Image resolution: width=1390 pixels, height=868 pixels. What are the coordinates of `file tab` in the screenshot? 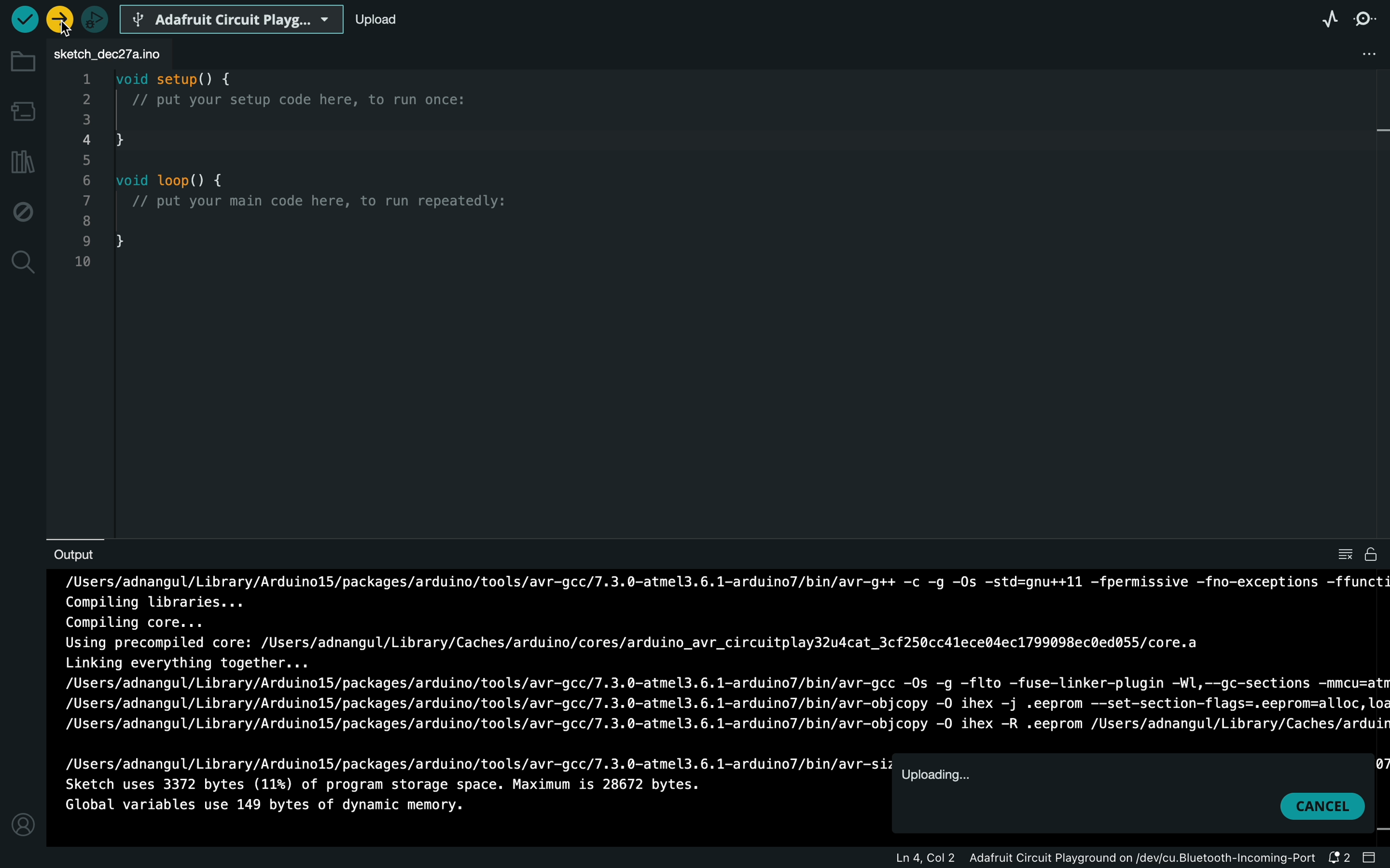 It's located at (118, 53).